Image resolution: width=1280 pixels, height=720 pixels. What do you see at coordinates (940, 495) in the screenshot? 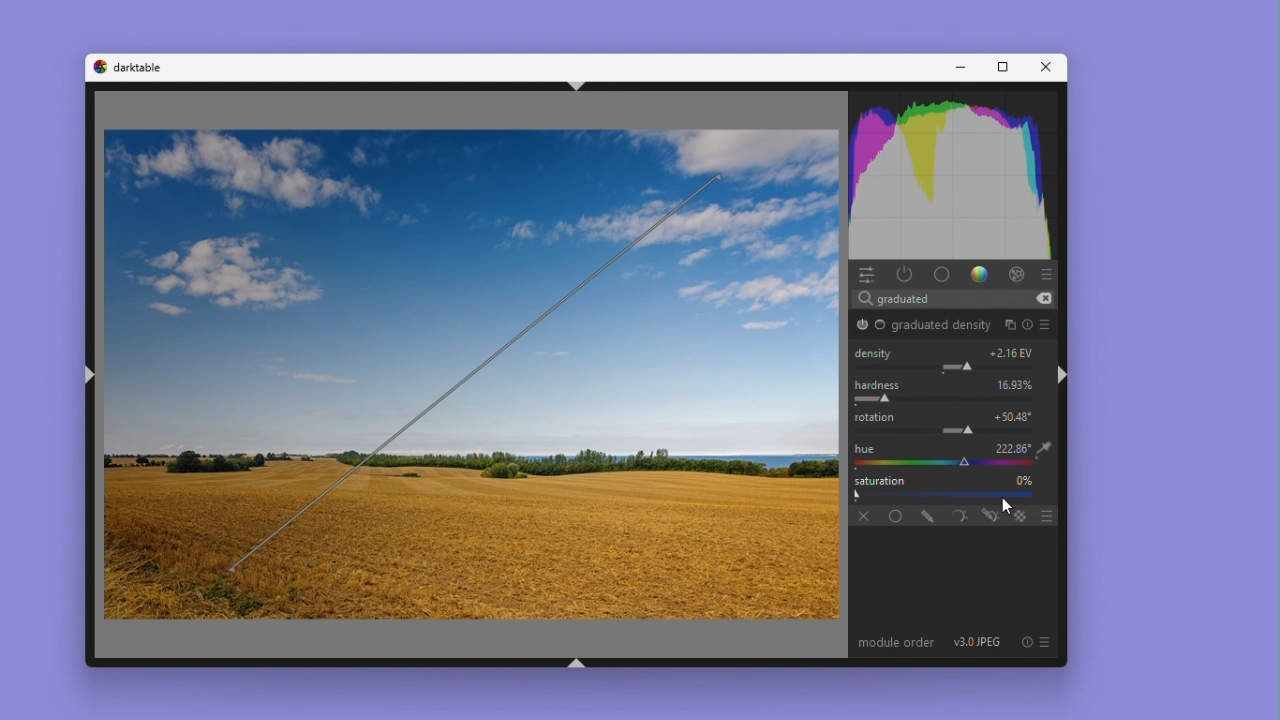
I see `Gradient Bar` at bounding box center [940, 495].